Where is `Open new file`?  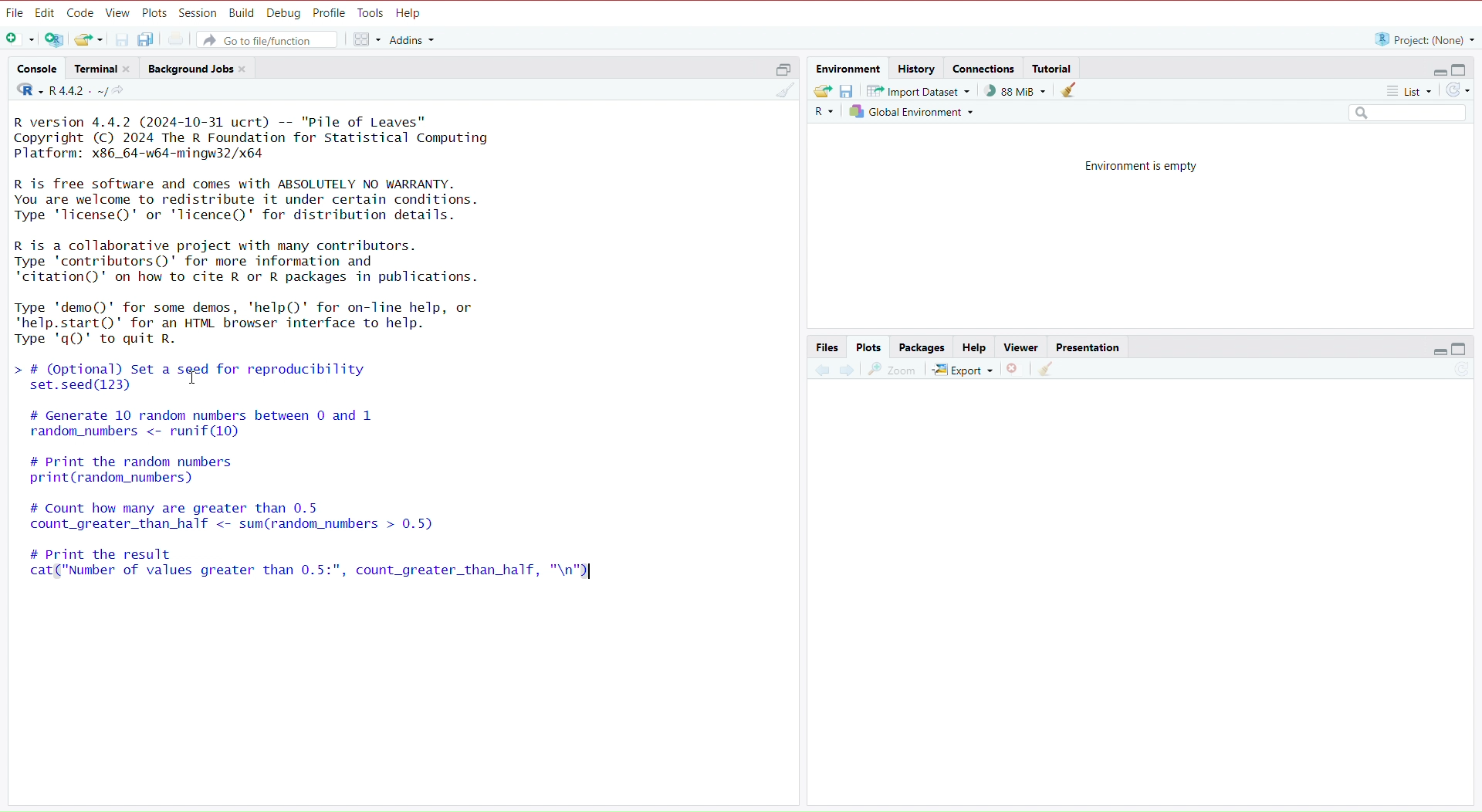 Open new file is located at coordinates (22, 40).